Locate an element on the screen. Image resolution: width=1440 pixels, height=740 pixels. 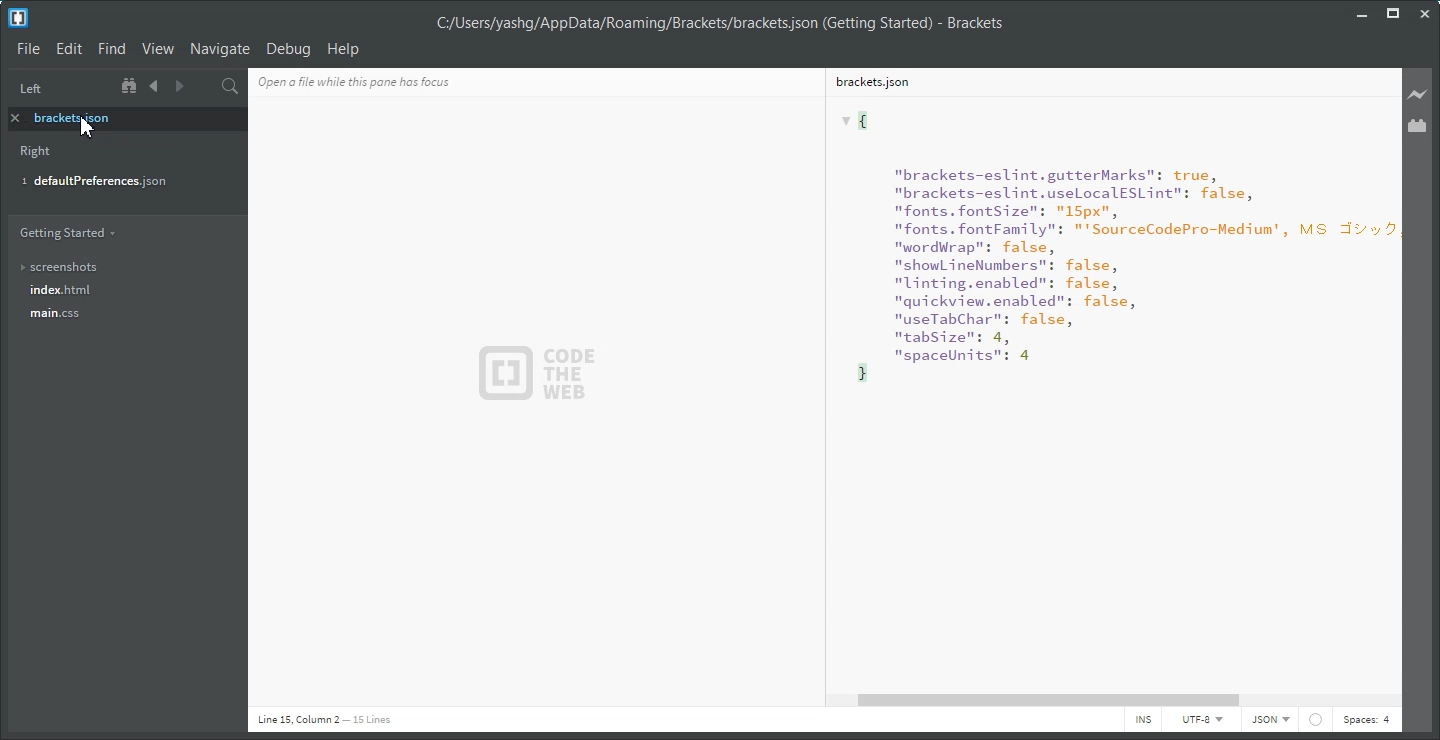
Cursor is located at coordinates (88, 125).